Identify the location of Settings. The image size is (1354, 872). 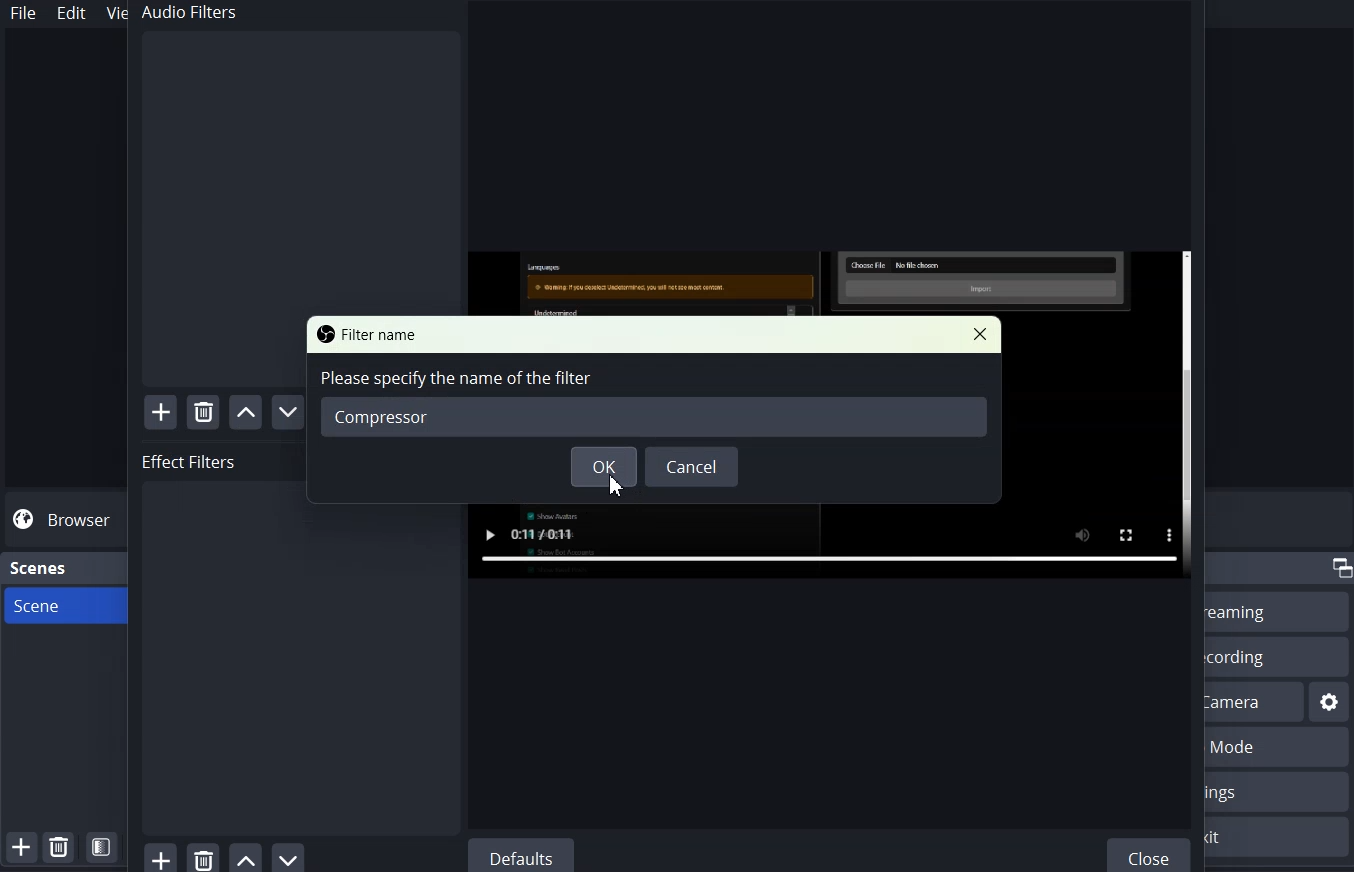
(1330, 702).